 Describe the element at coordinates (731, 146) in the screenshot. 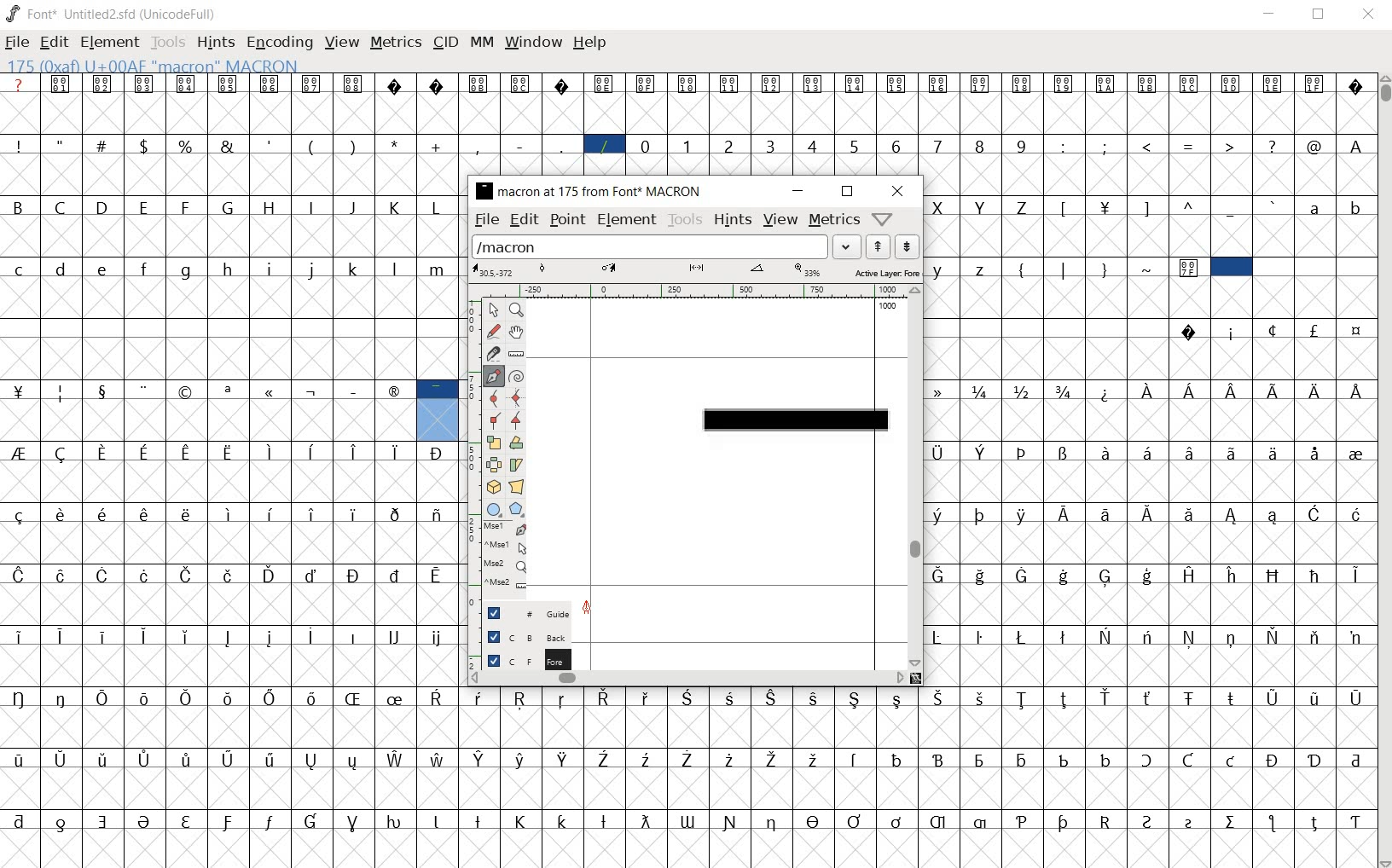

I see `2` at that location.